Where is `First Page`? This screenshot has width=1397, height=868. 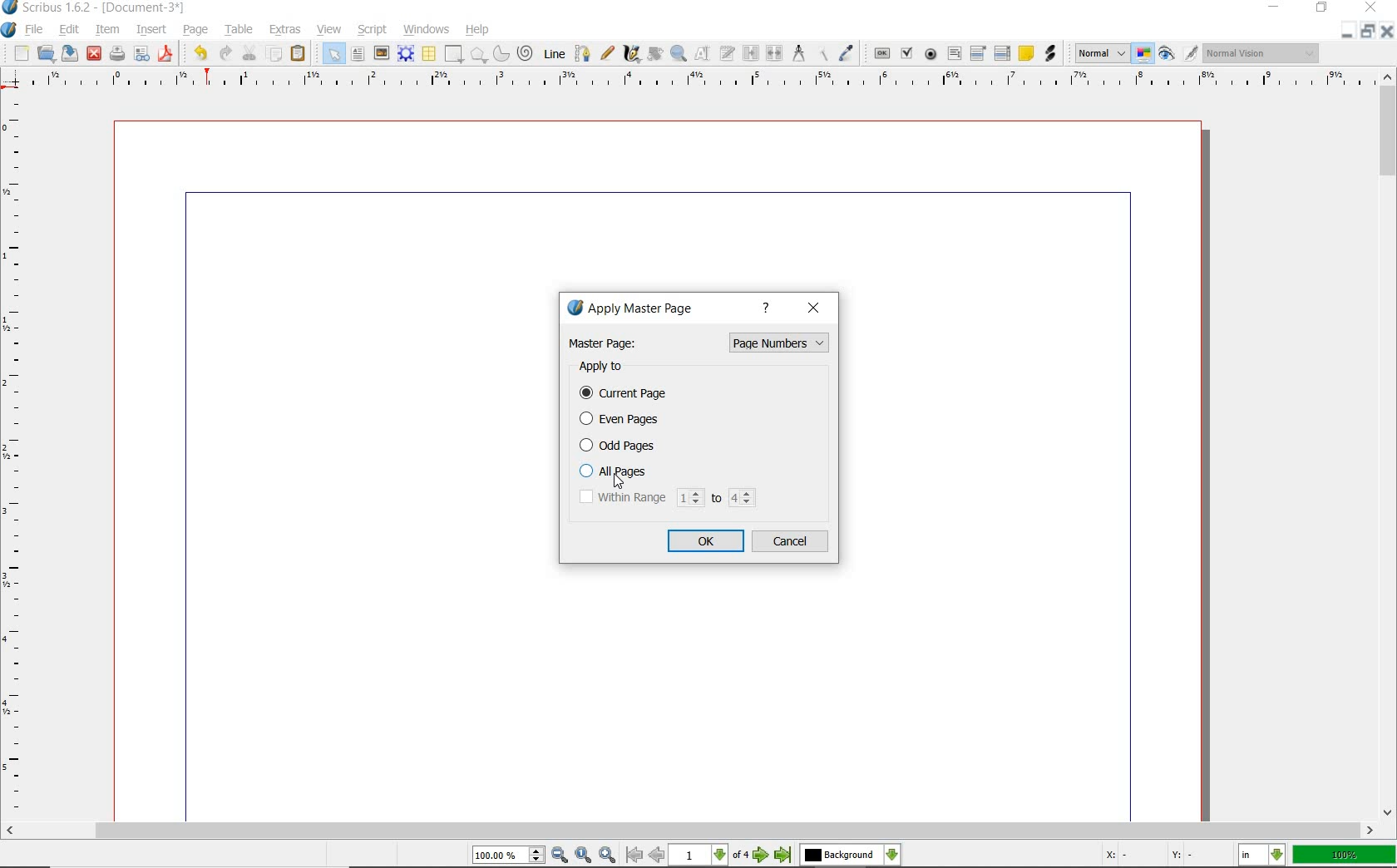
First Page is located at coordinates (632, 856).